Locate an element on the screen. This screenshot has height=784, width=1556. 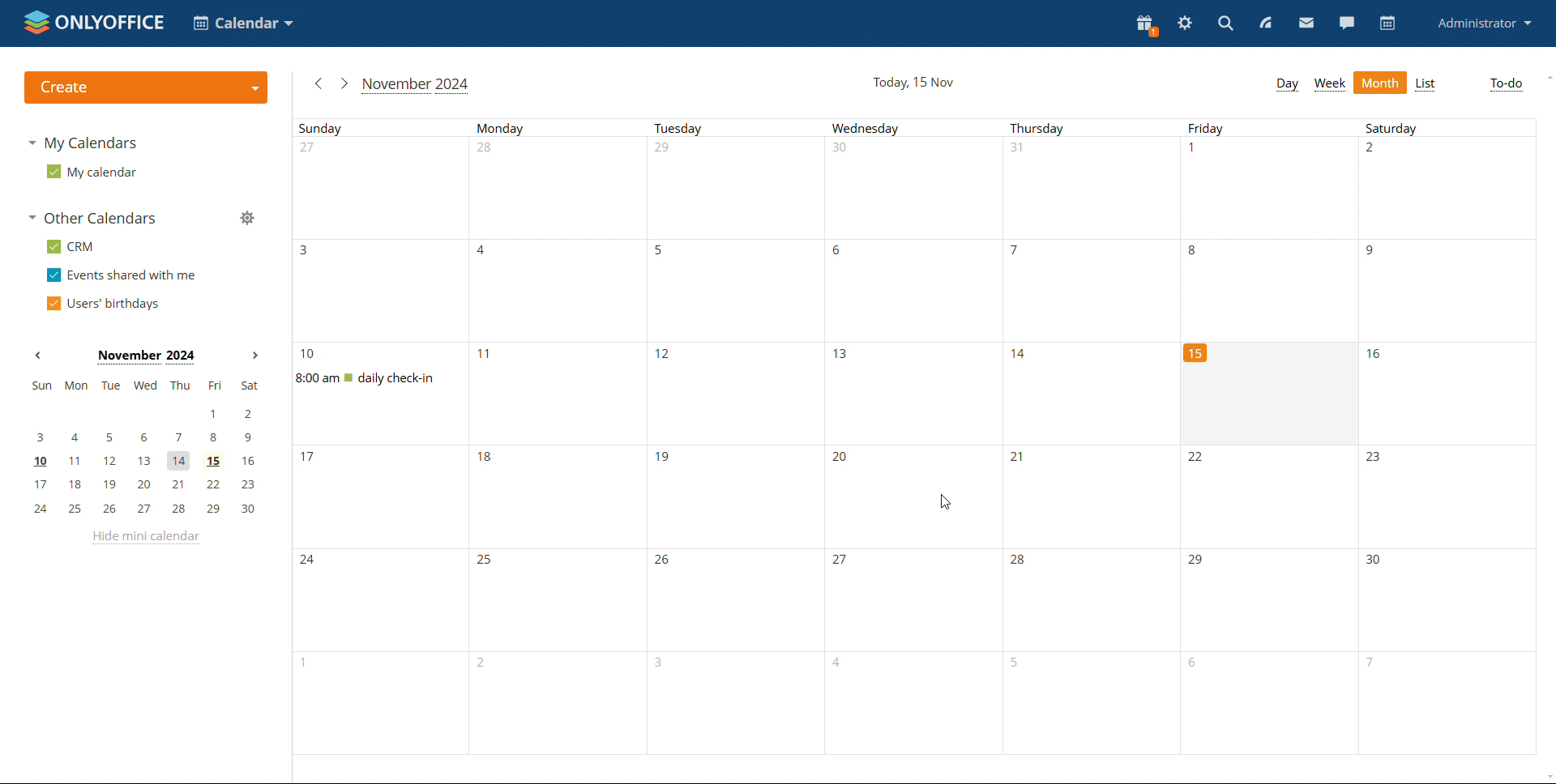
Number is located at coordinates (663, 458).